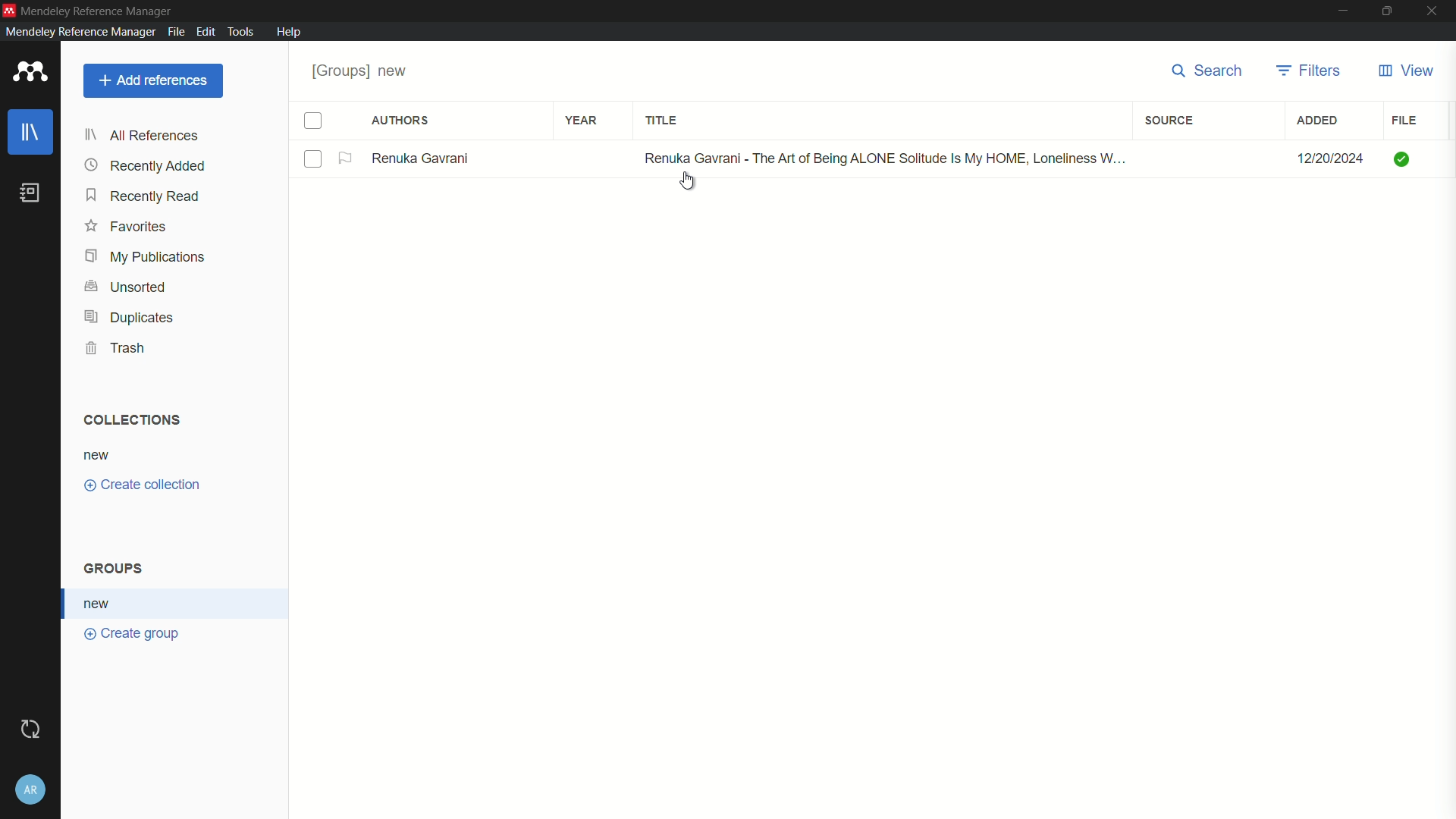 Image resolution: width=1456 pixels, height=819 pixels. I want to click on Renuka Gaurani, so click(426, 158).